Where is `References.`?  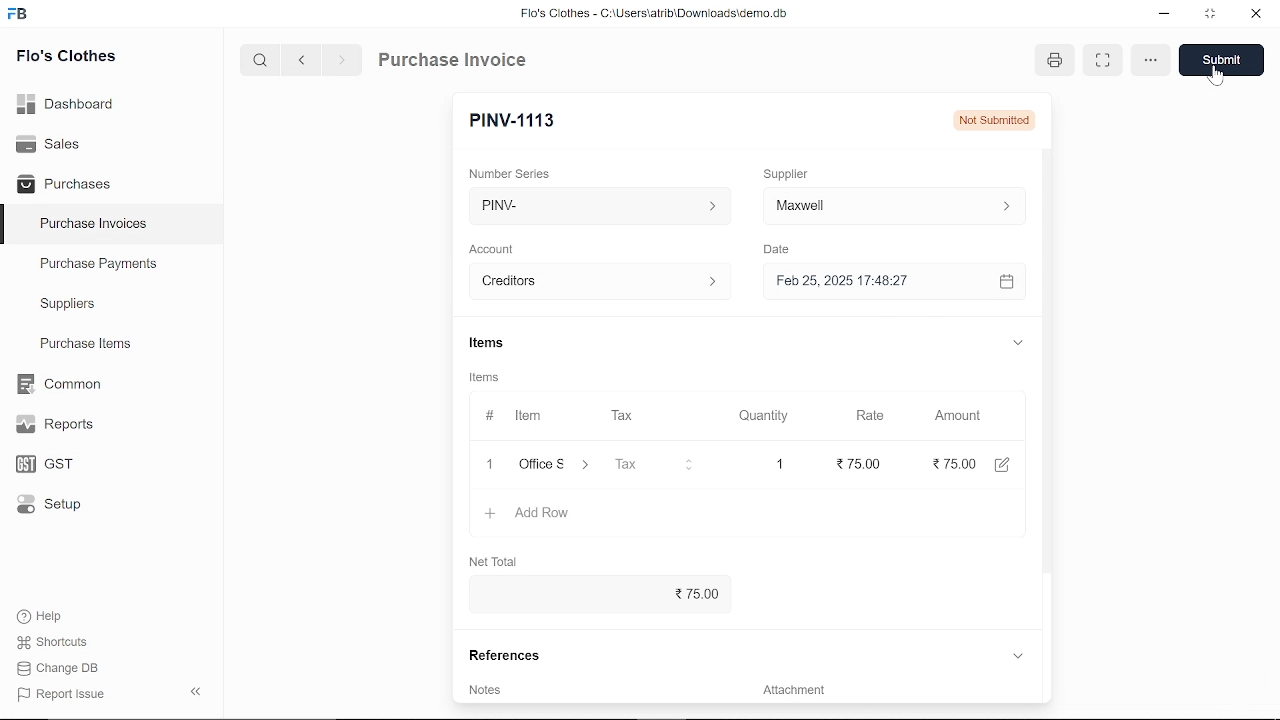
References. is located at coordinates (508, 655).